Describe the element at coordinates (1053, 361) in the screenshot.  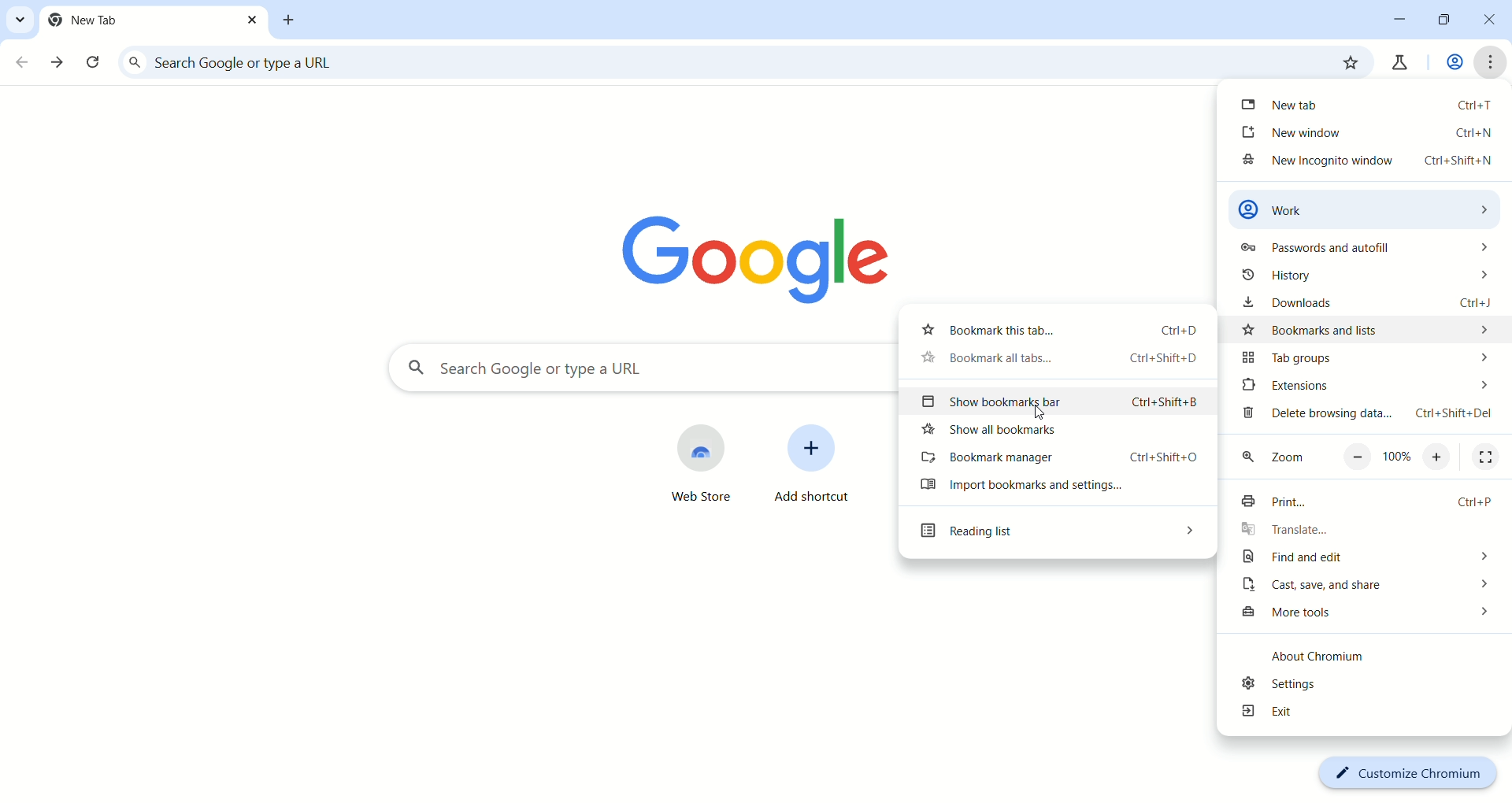
I see `bookmark all tabs` at that location.